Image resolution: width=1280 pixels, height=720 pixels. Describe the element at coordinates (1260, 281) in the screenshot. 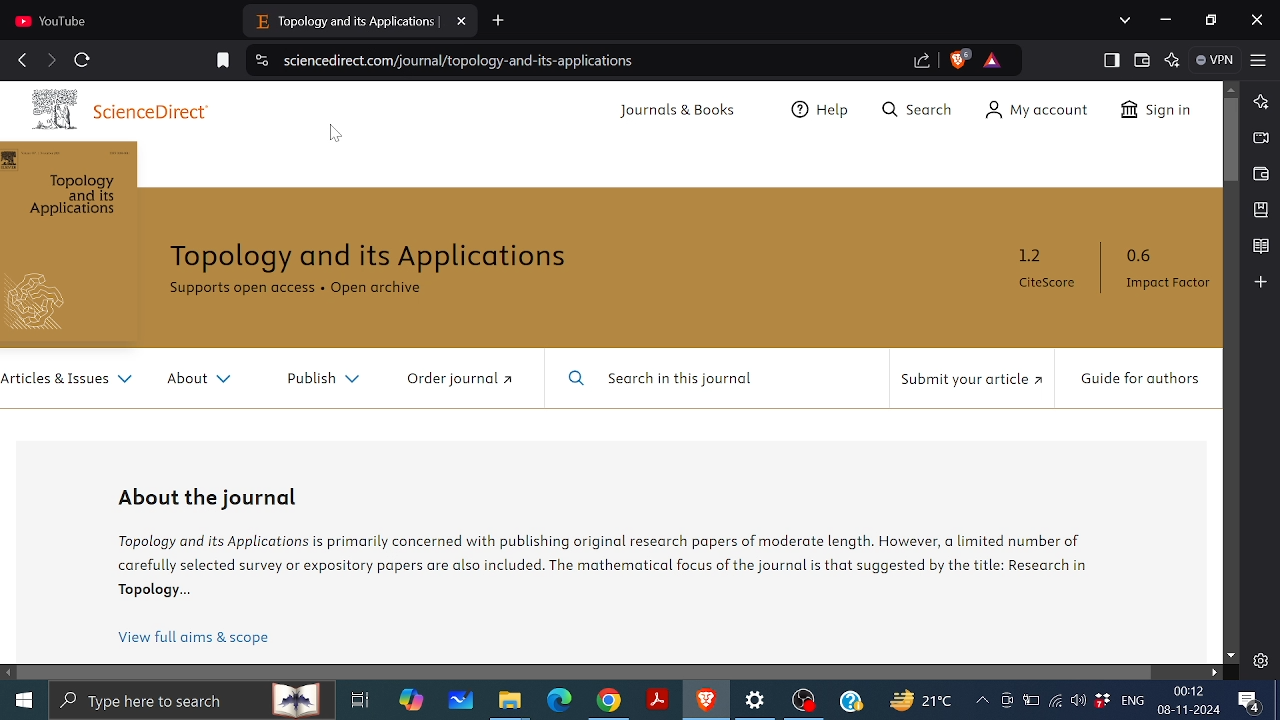

I see `Add to sidebar` at that location.